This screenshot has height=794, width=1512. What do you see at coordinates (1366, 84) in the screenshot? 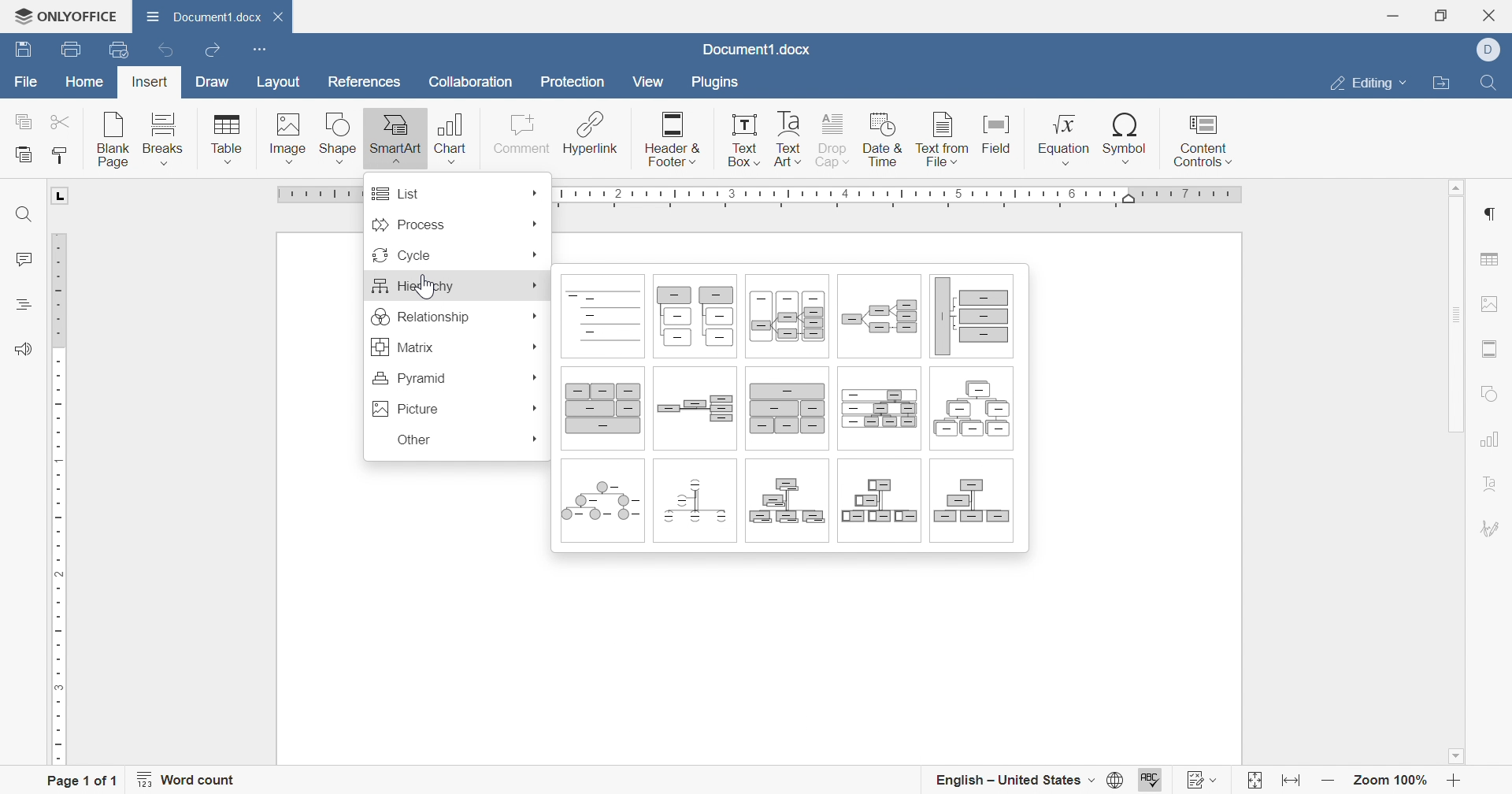
I see `Editing` at bounding box center [1366, 84].